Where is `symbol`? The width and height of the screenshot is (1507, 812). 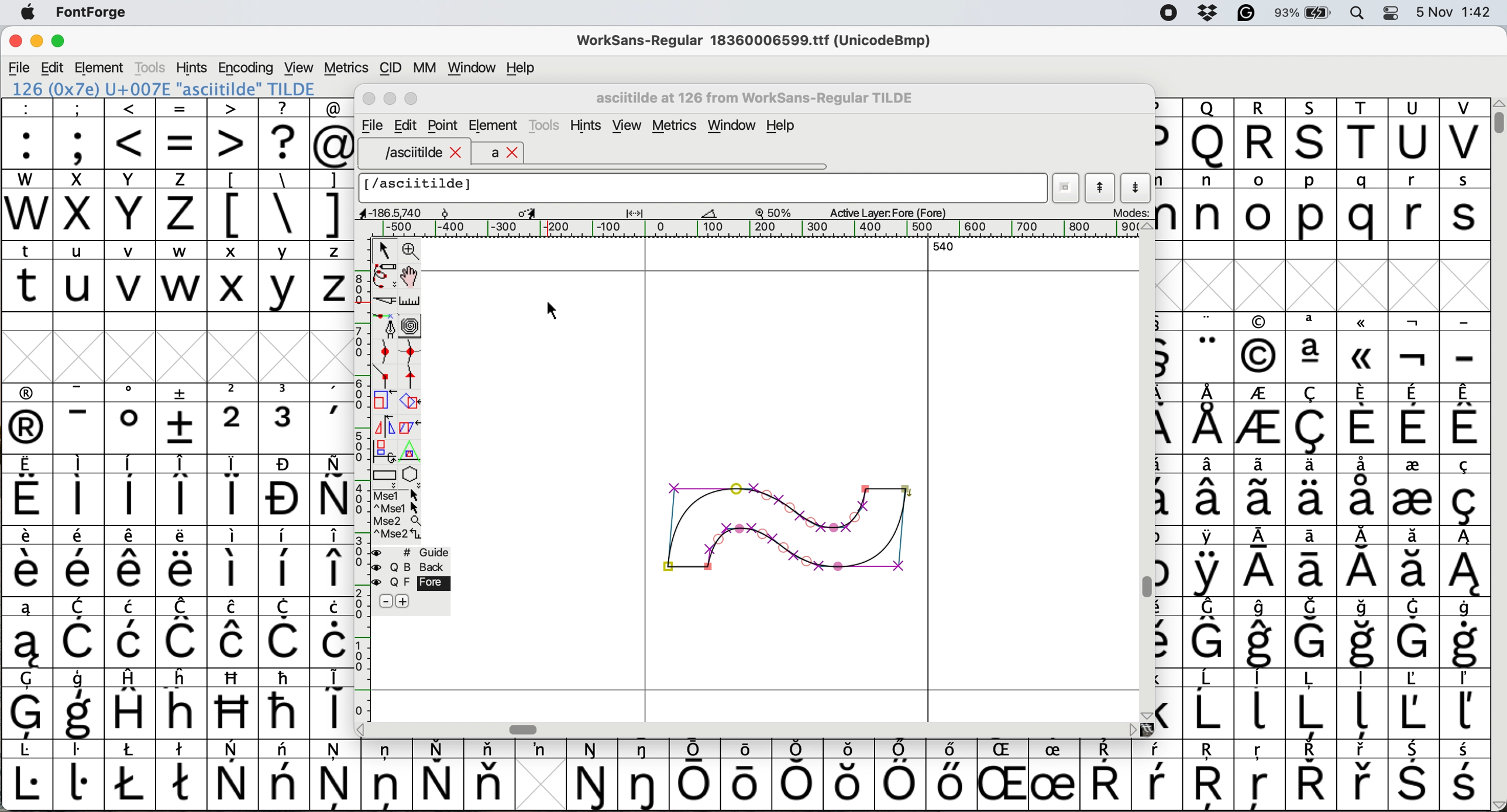 symbol is located at coordinates (1209, 632).